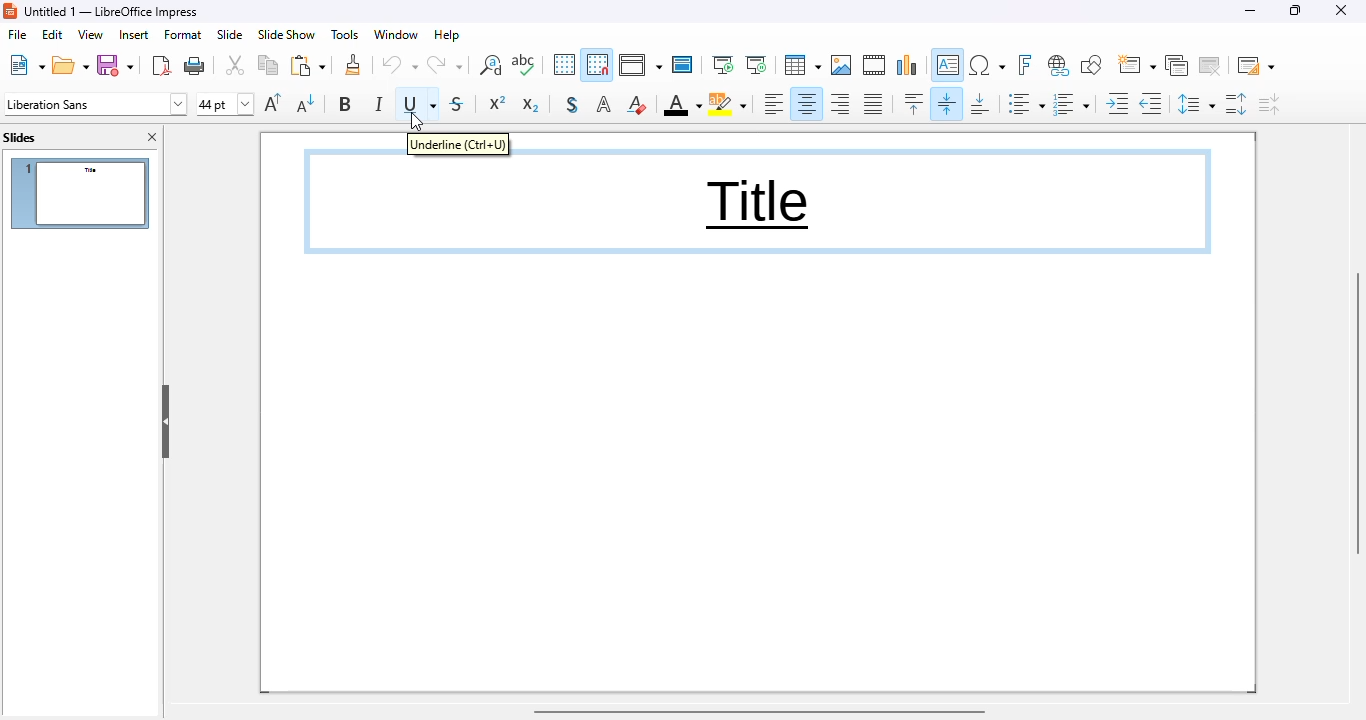 This screenshot has width=1366, height=720. Describe the element at coordinates (1211, 66) in the screenshot. I see `delete slide` at that location.